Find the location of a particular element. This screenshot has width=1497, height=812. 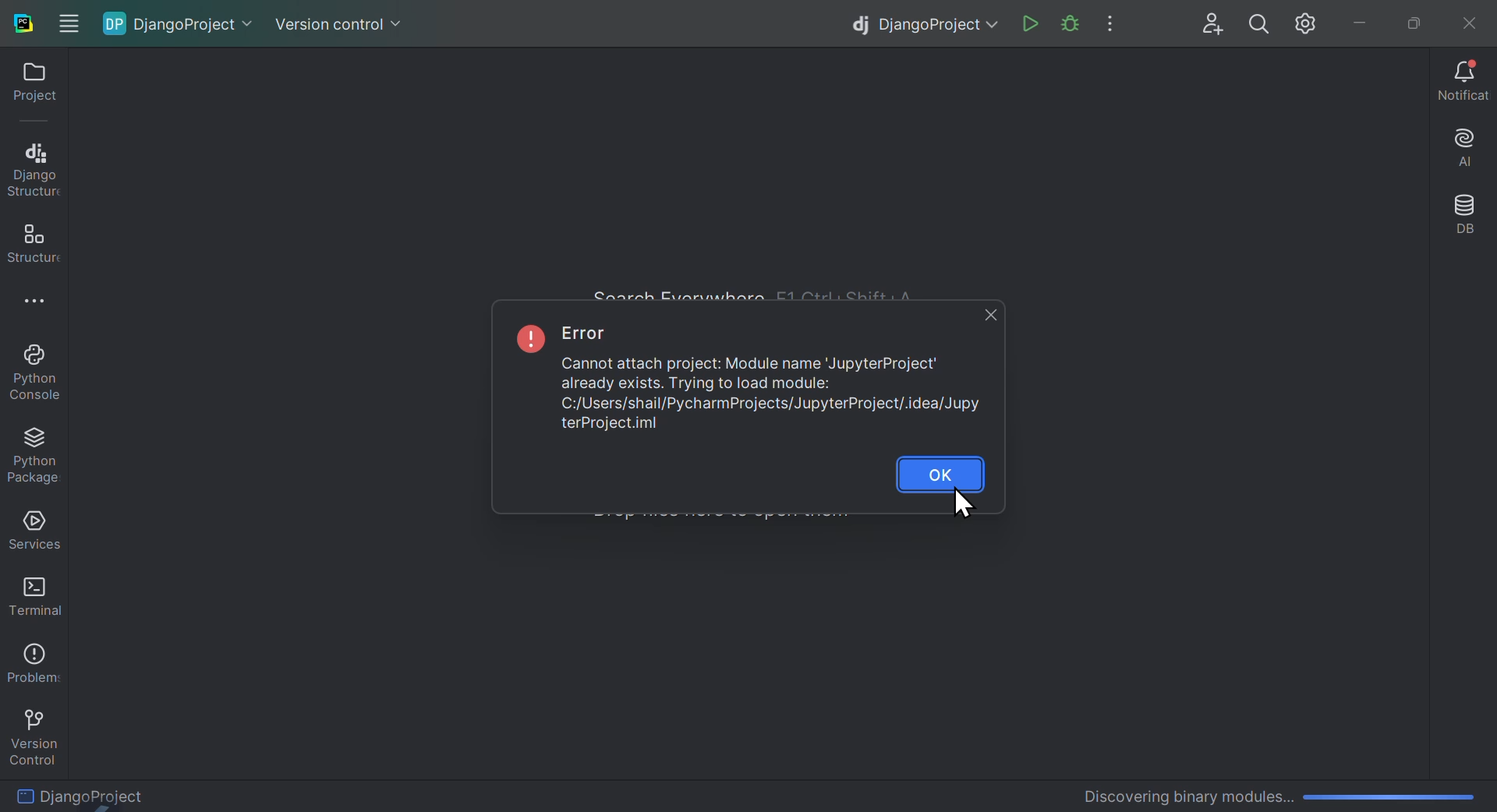

Problems is located at coordinates (31, 659).